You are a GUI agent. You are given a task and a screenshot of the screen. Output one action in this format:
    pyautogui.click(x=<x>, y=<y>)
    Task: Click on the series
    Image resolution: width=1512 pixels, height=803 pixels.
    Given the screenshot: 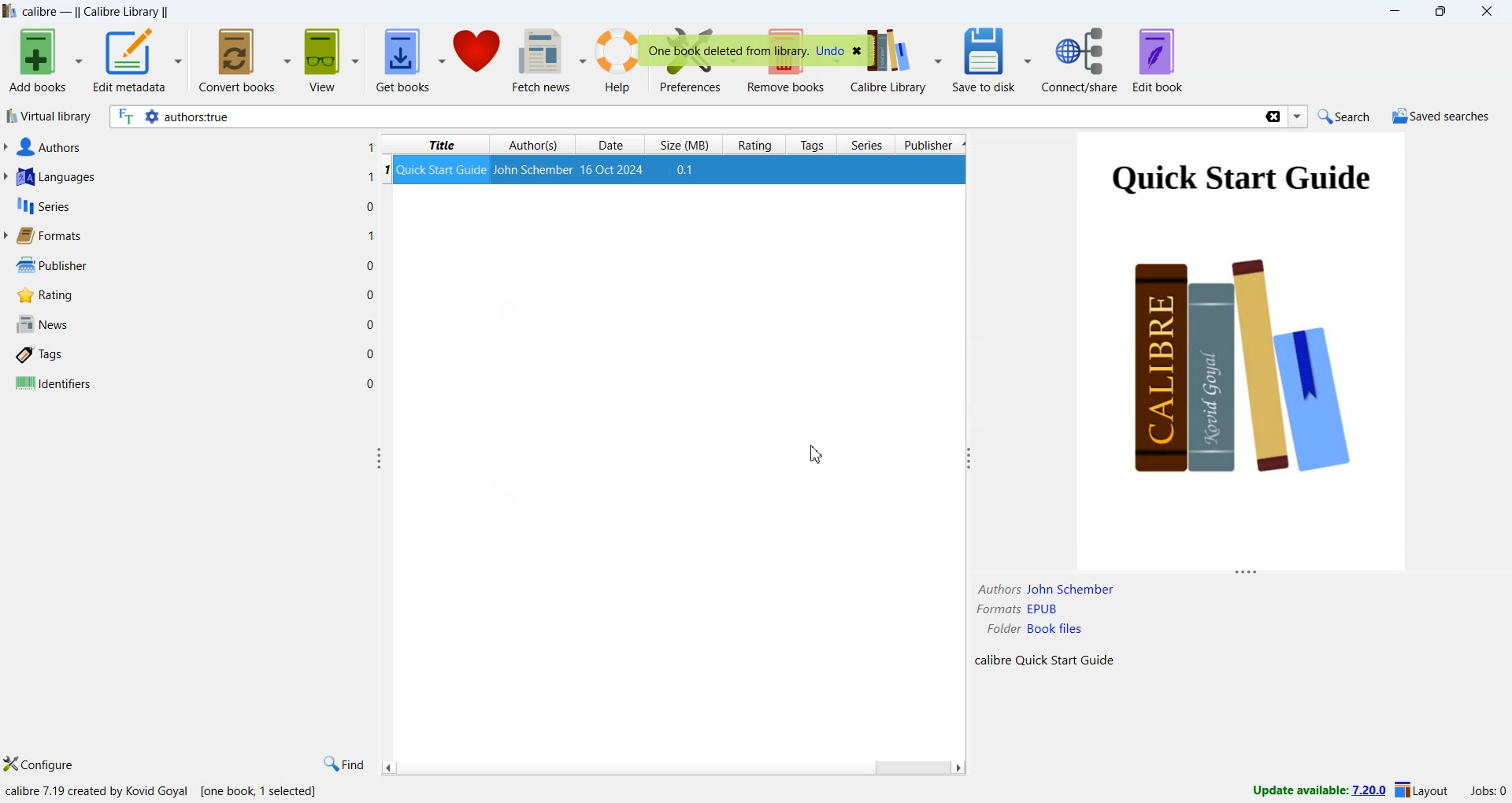 What is the action you would take?
    pyautogui.click(x=42, y=209)
    